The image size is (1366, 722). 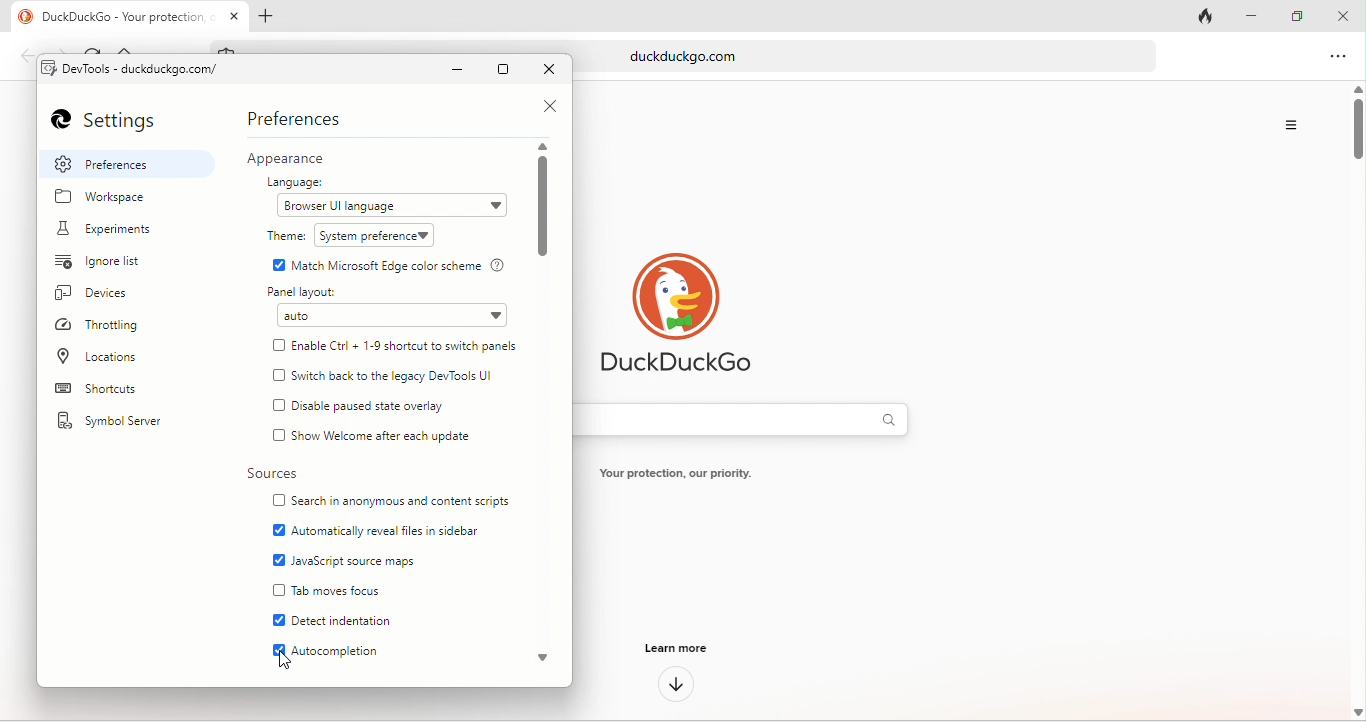 What do you see at coordinates (288, 660) in the screenshot?
I see `cursor movement` at bounding box center [288, 660].